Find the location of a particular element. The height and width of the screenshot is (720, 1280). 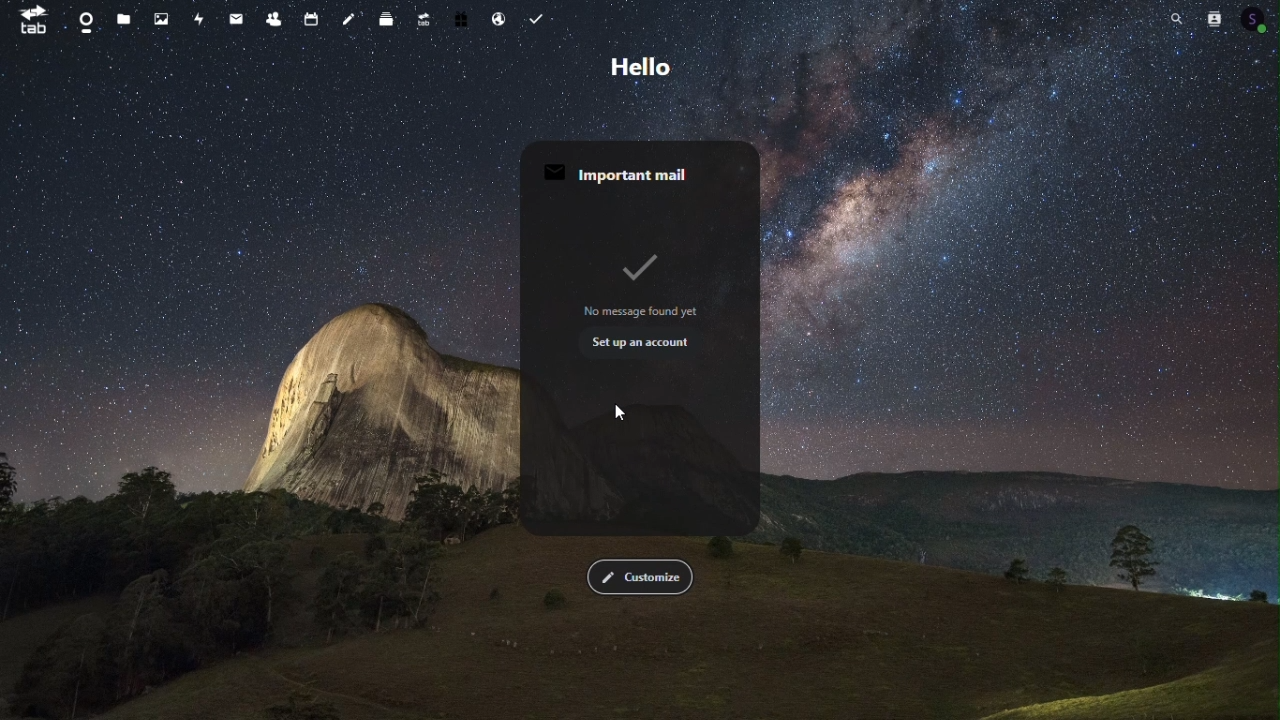

no message found yet is located at coordinates (639, 283).